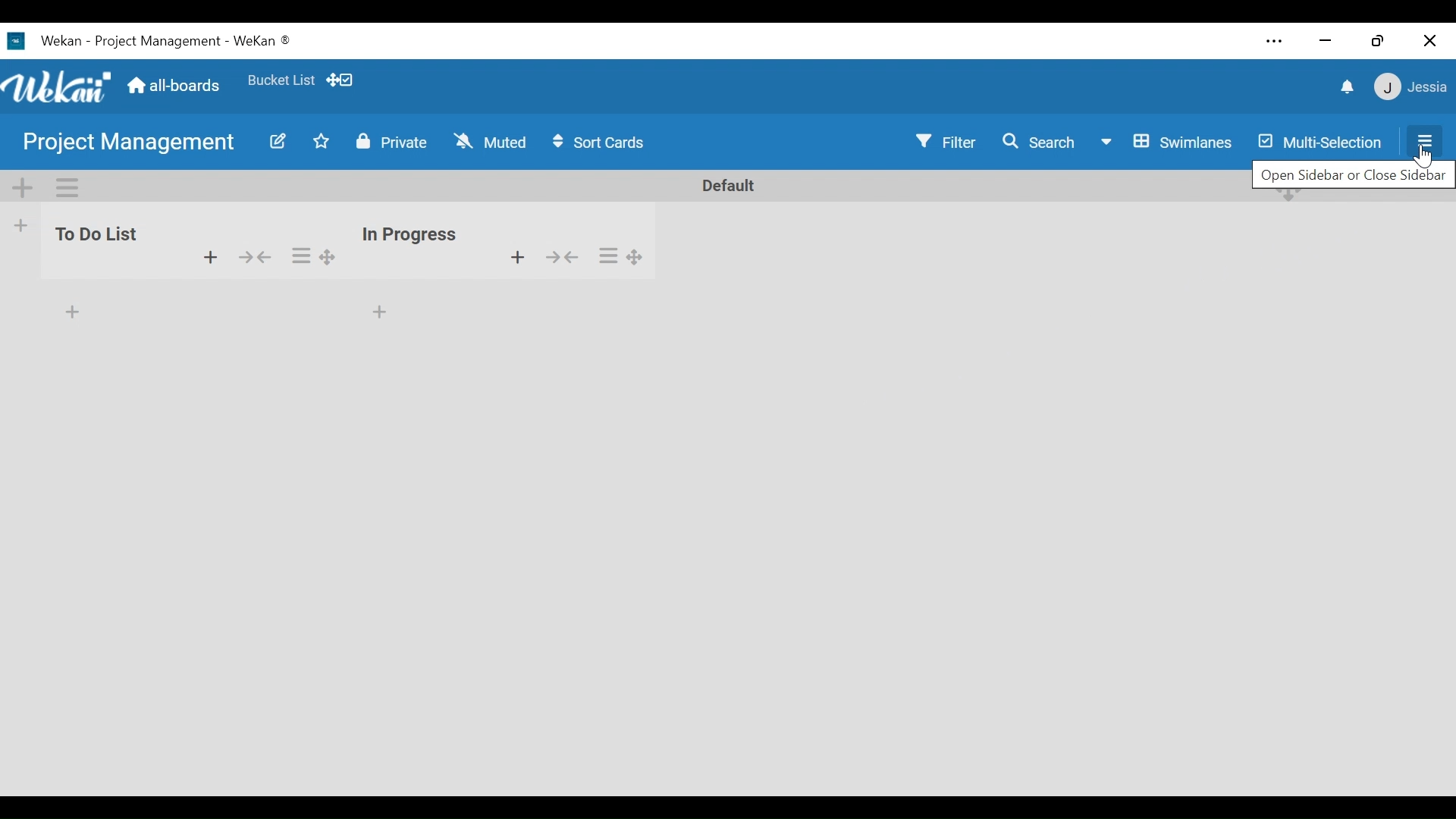  Describe the element at coordinates (626, 255) in the screenshot. I see `options` at that location.